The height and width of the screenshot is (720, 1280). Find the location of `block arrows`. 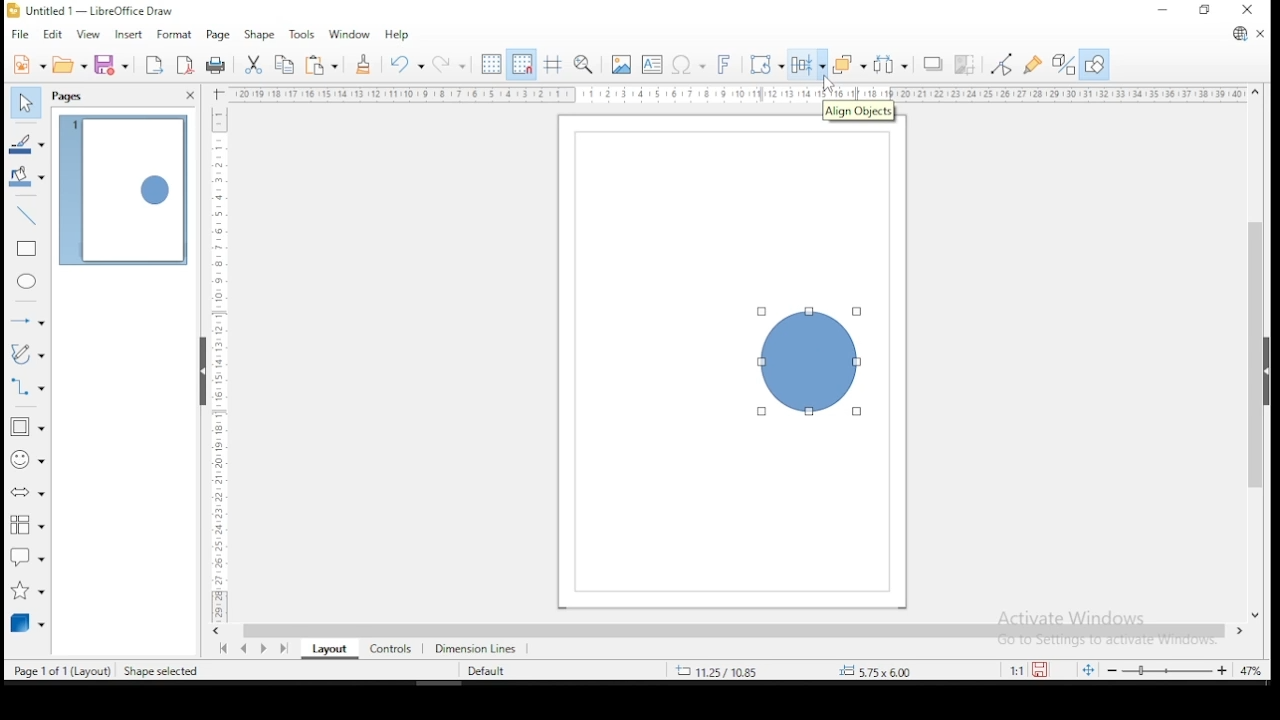

block arrows is located at coordinates (28, 495).